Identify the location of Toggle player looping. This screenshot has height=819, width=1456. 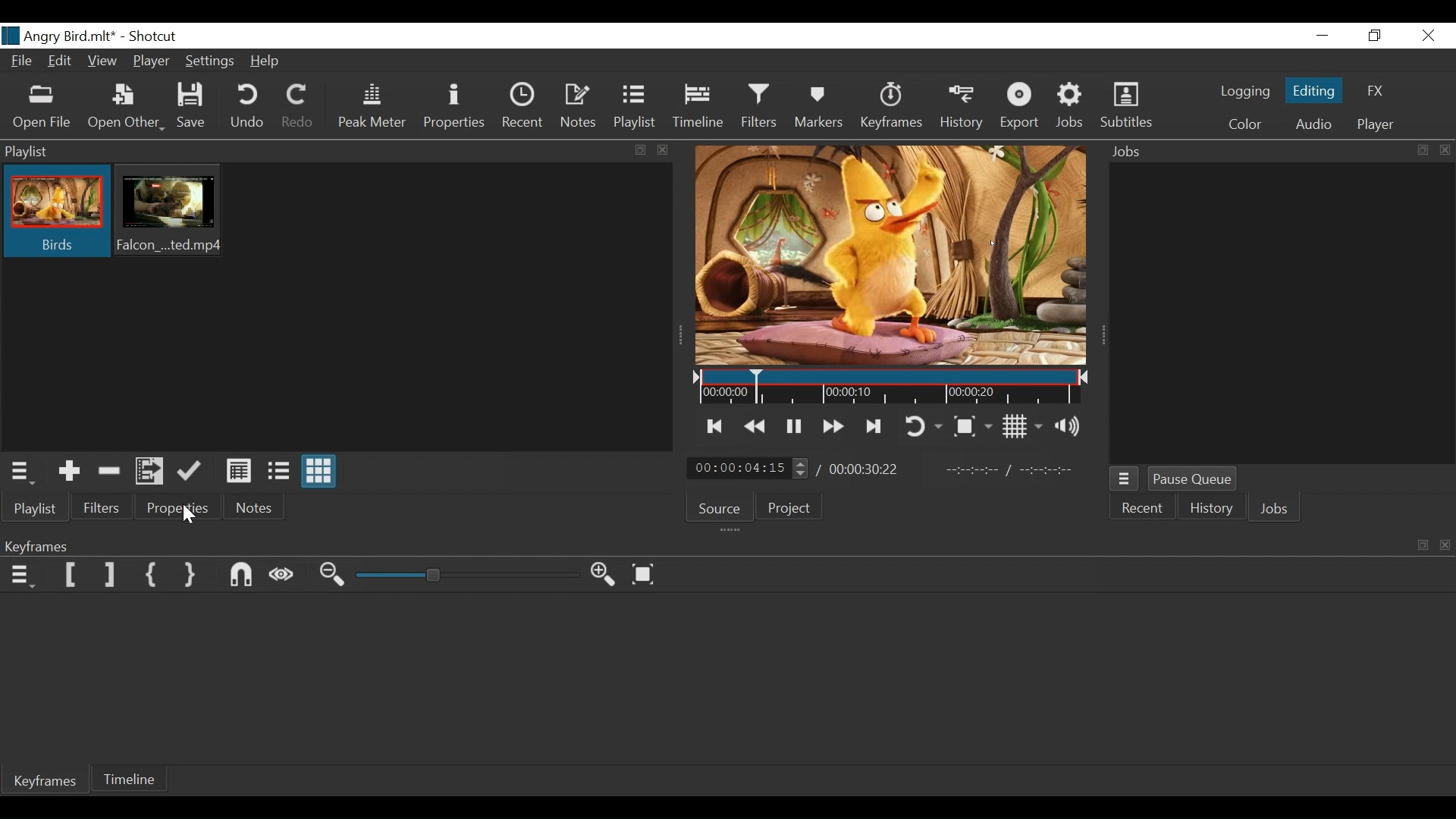
(925, 426).